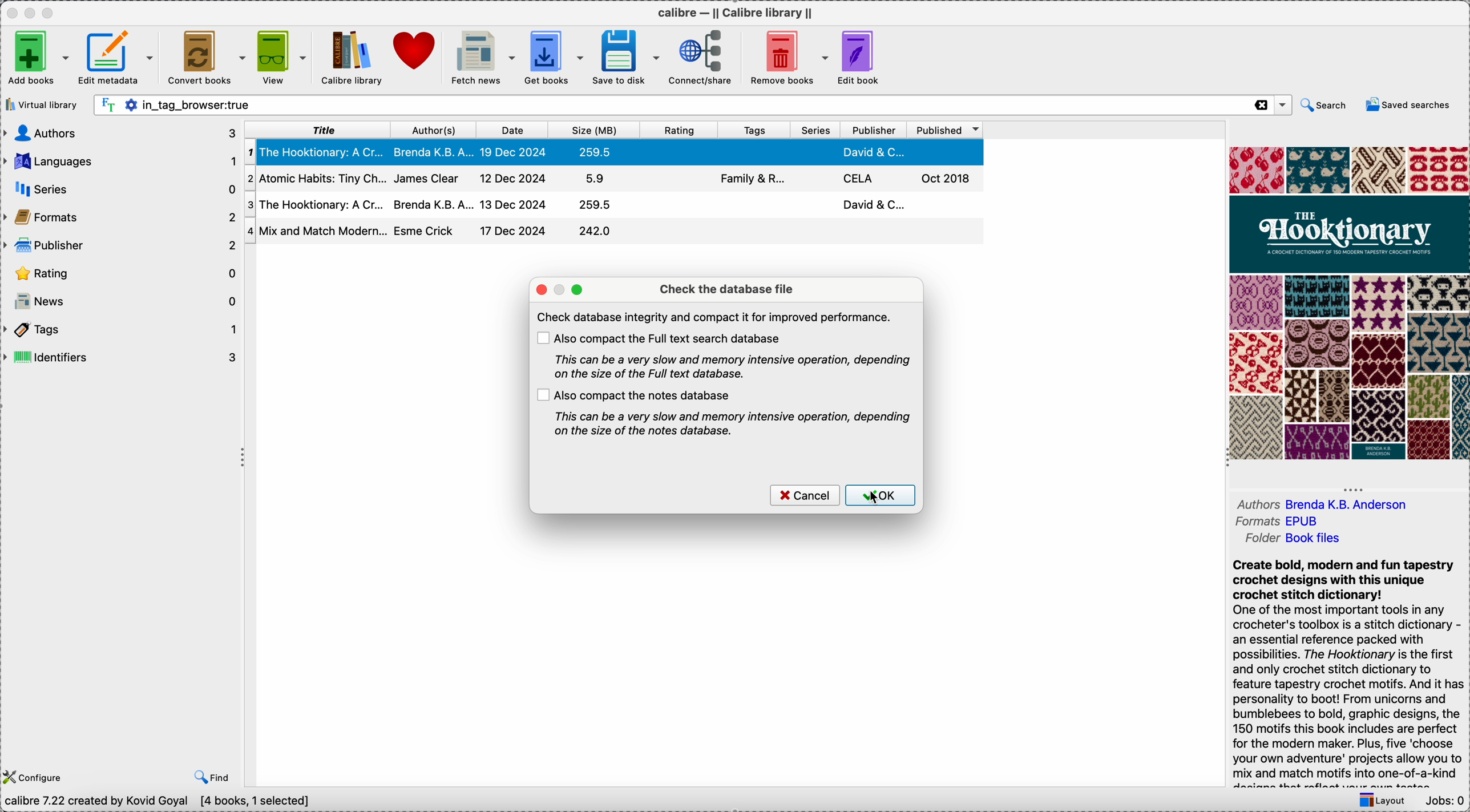  Describe the element at coordinates (597, 130) in the screenshot. I see `size` at that location.